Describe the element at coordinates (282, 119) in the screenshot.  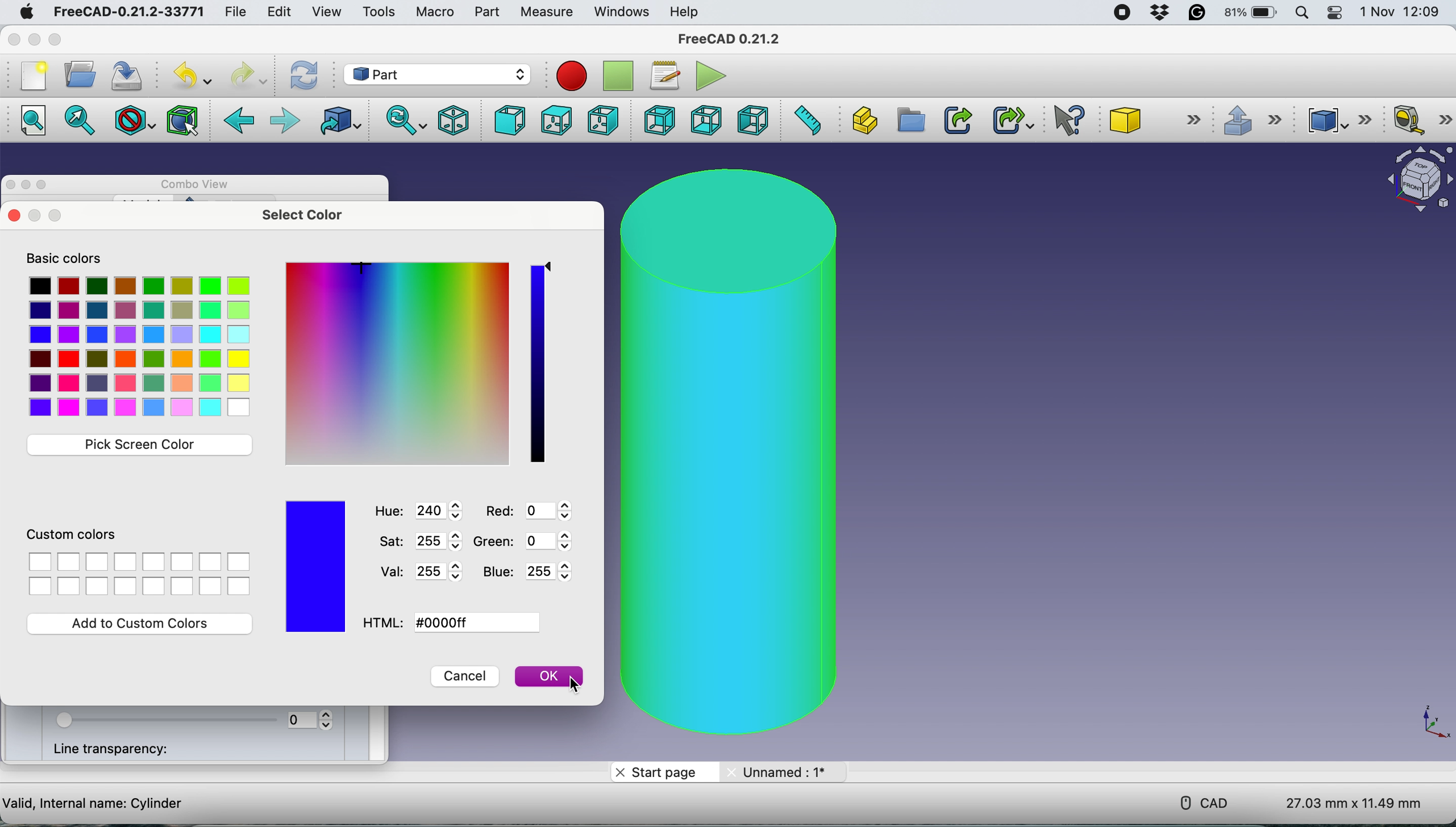
I see `forward` at that location.